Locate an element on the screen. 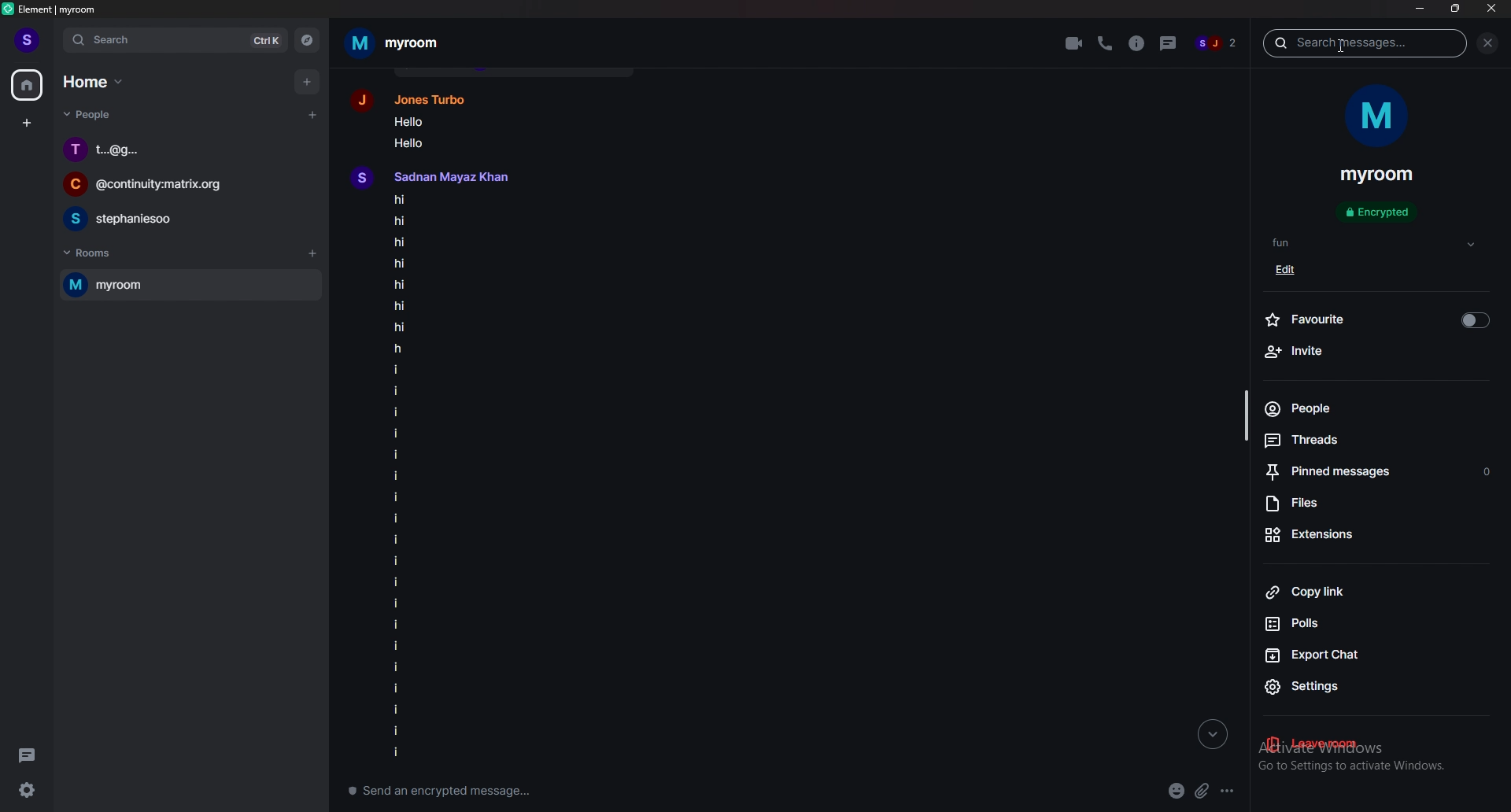 Image resolution: width=1511 pixels, height=812 pixels. video call is located at coordinates (1075, 44).